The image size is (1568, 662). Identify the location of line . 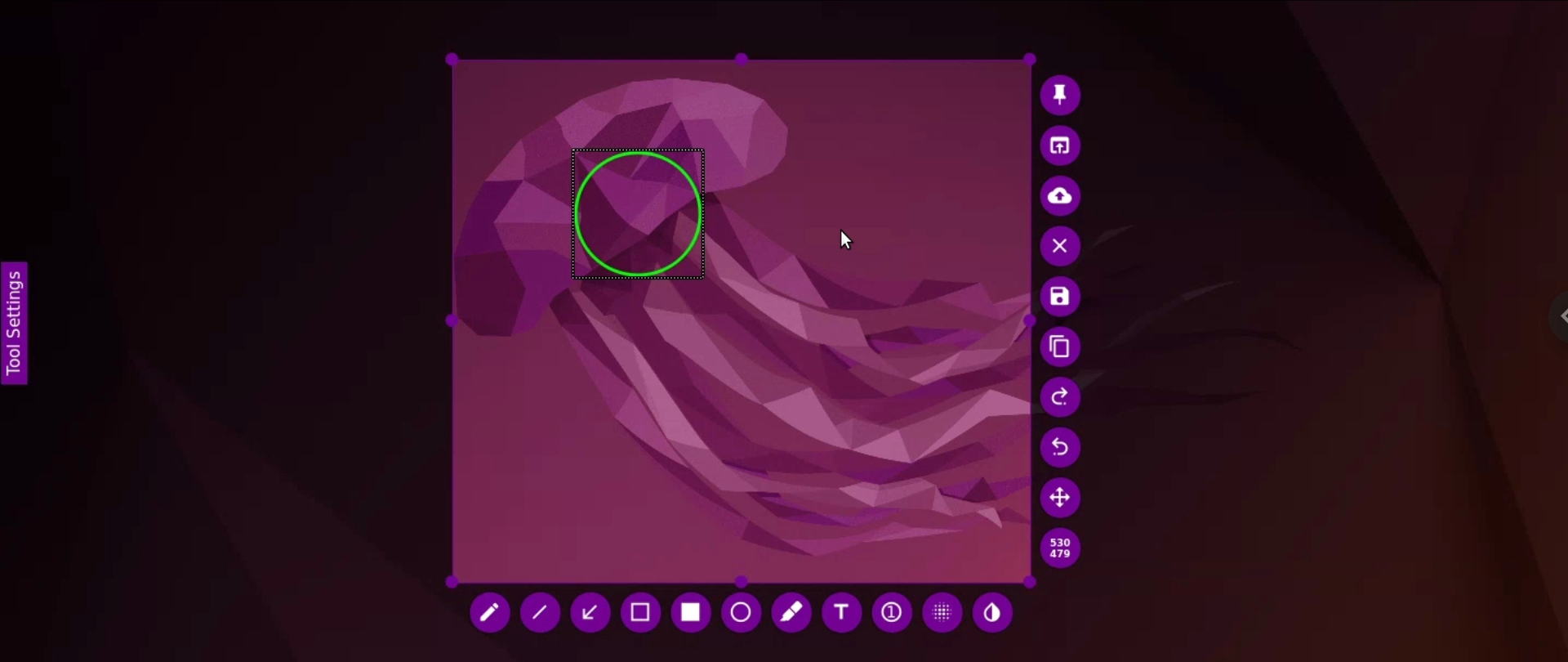
(546, 614).